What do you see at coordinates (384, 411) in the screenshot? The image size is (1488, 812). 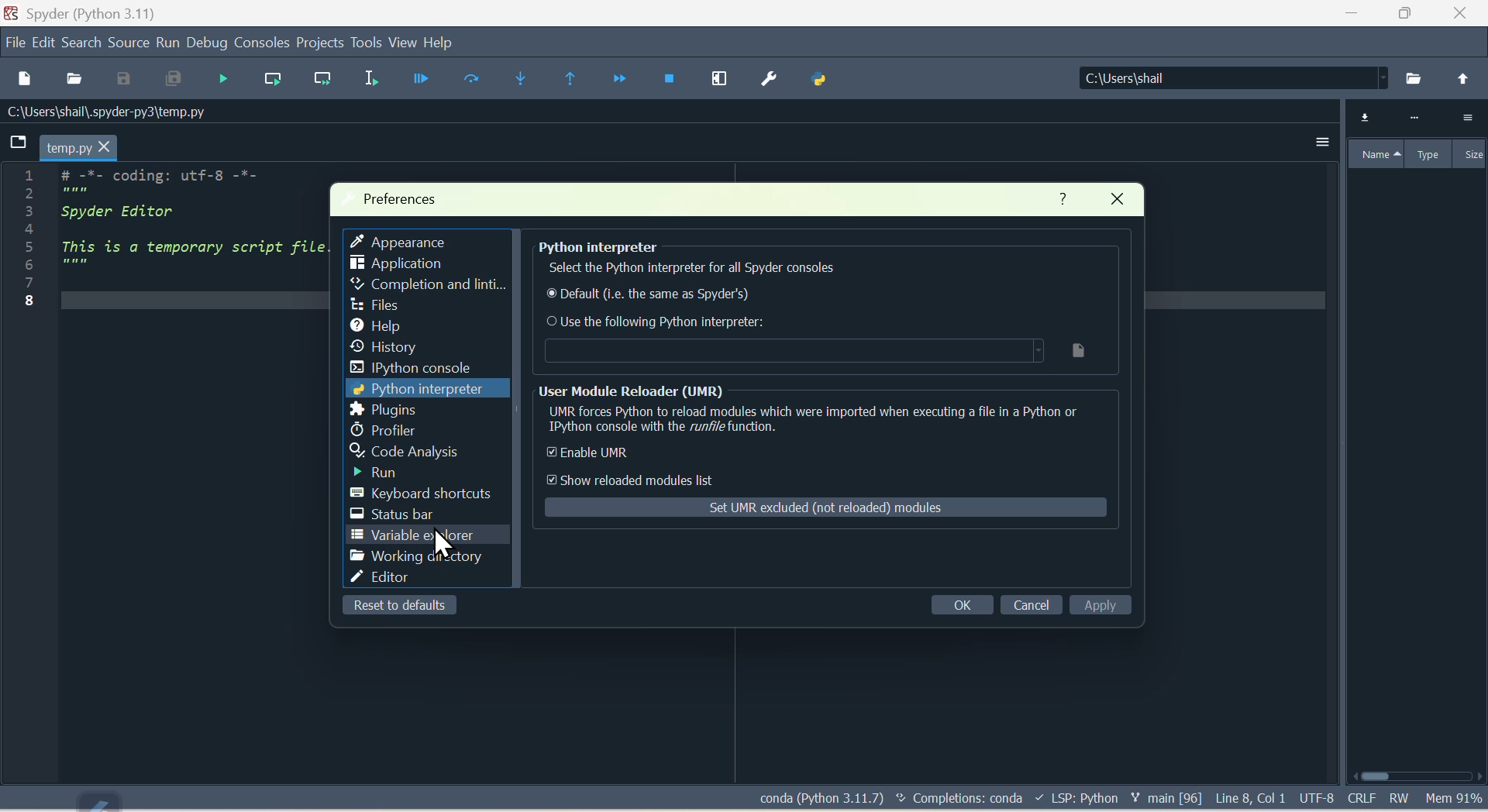 I see `Plugins` at bounding box center [384, 411].